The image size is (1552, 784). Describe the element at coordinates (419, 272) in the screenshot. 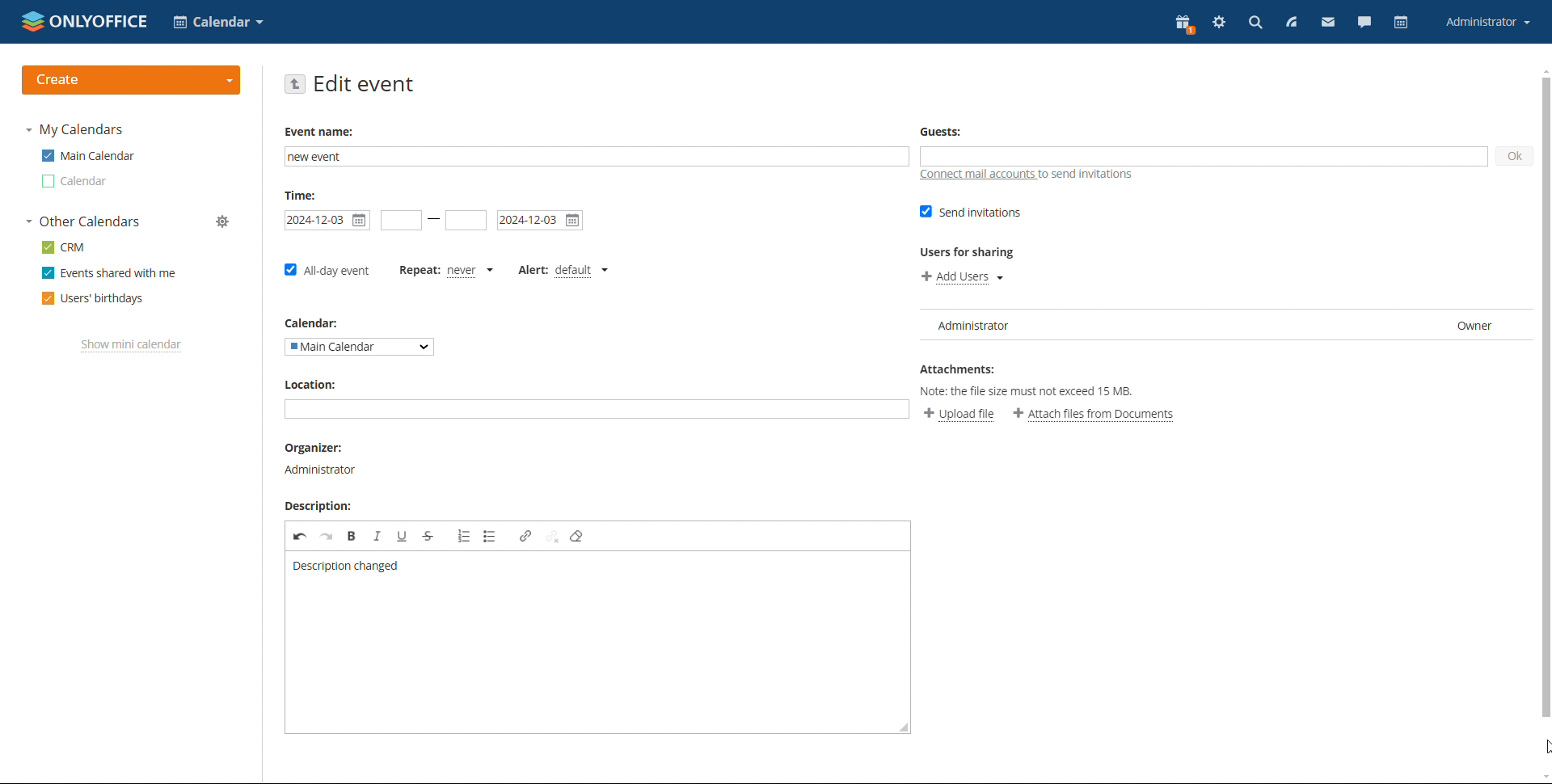

I see `repetition` at that location.